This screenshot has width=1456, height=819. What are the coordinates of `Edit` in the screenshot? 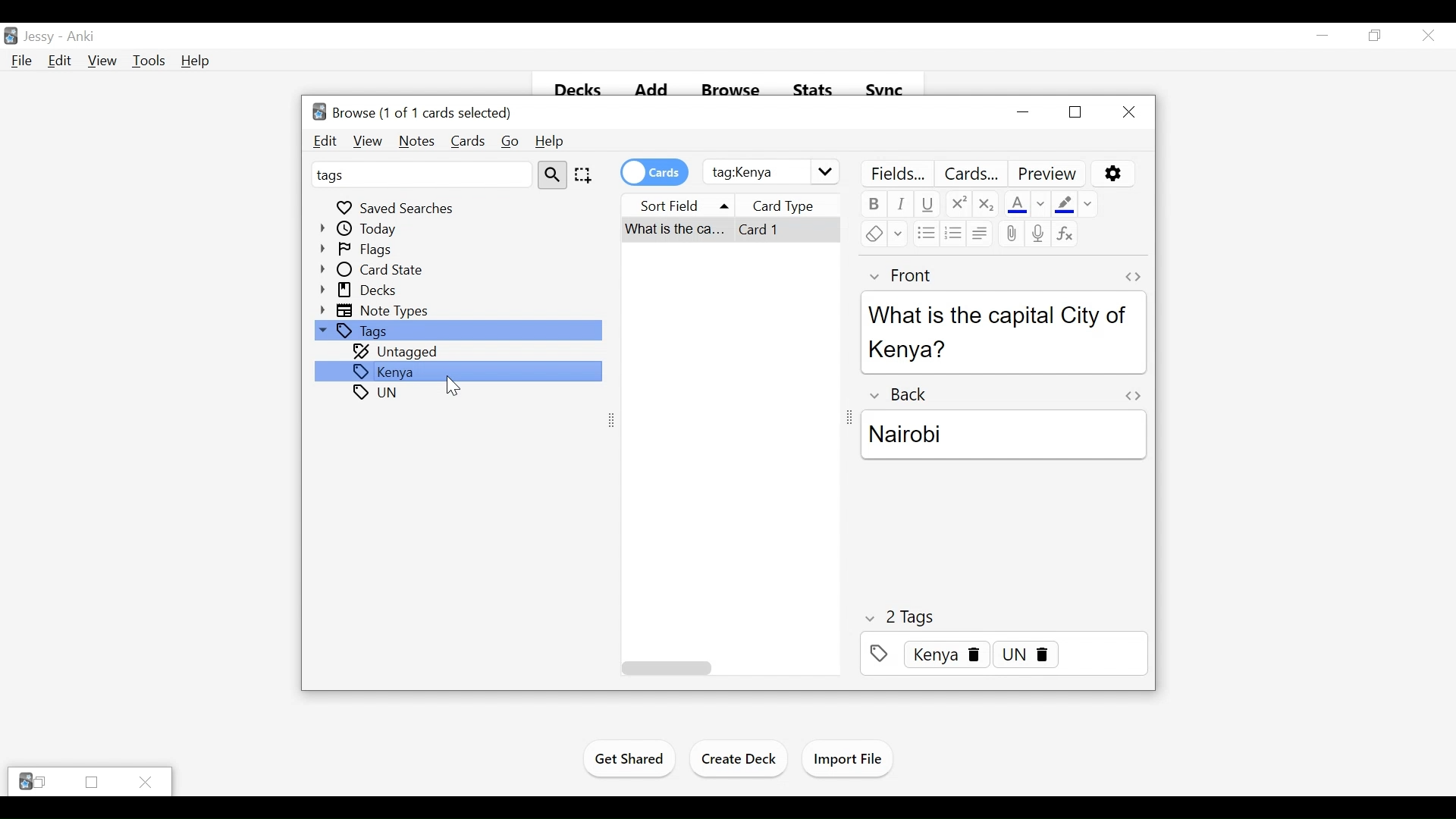 It's located at (58, 61).